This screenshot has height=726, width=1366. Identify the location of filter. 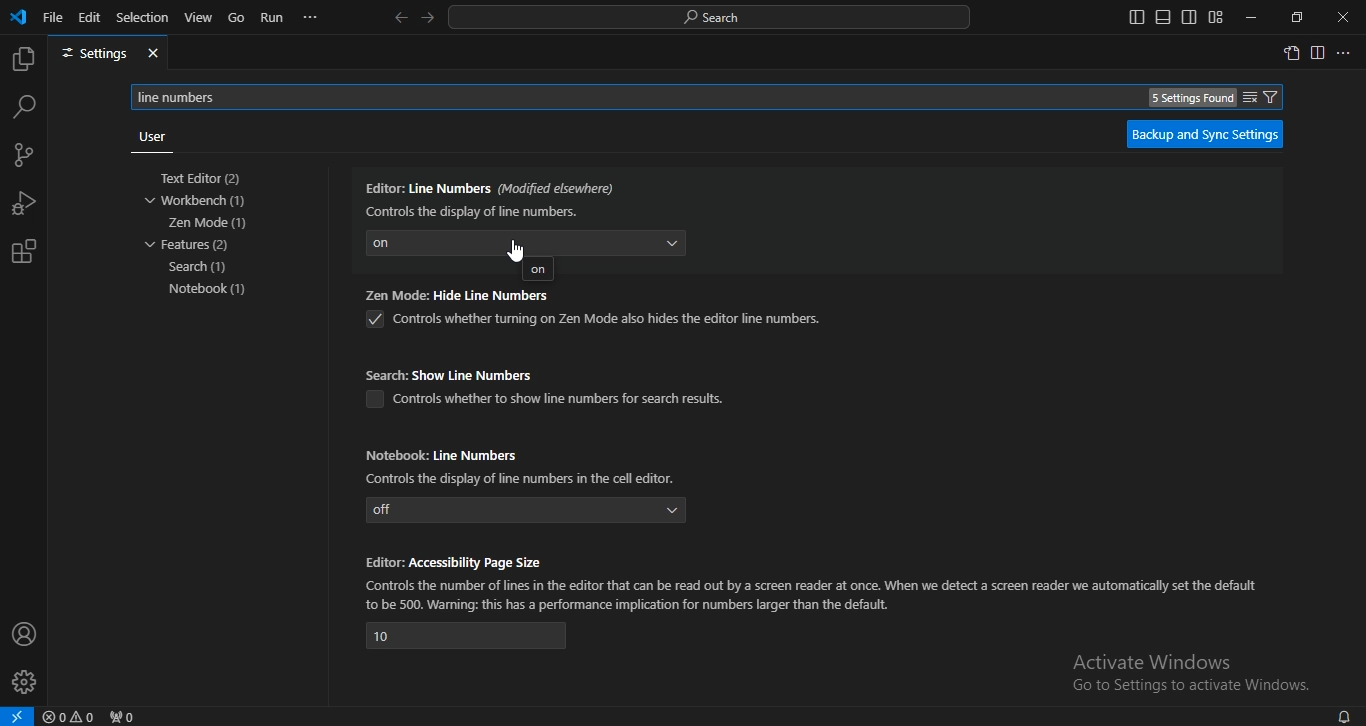
(1261, 97).